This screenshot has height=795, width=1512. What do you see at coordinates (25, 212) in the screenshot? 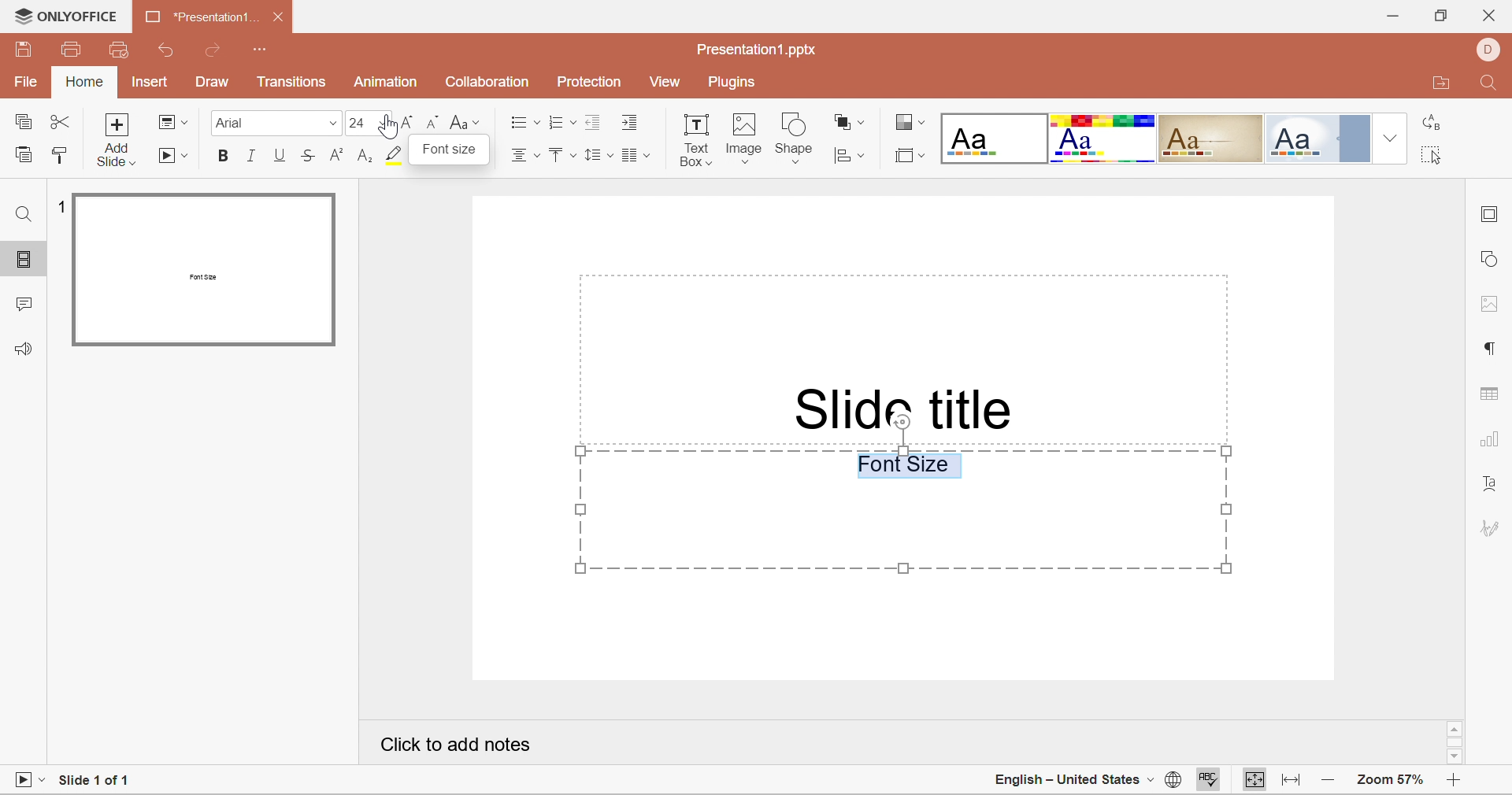
I see `Find` at bounding box center [25, 212].